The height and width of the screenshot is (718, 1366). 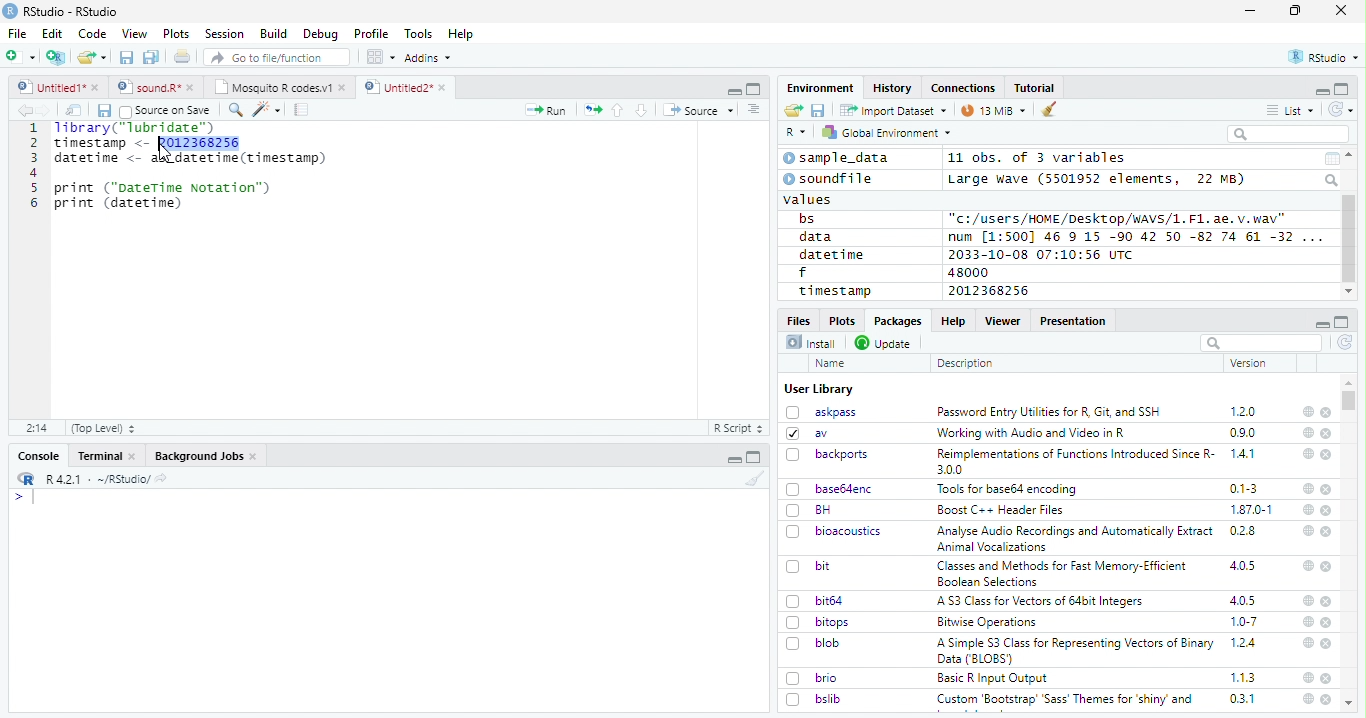 What do you see at coordinates (834, 290) in the screenshot?
I see `timestamp` at bounding box center [834, 290].